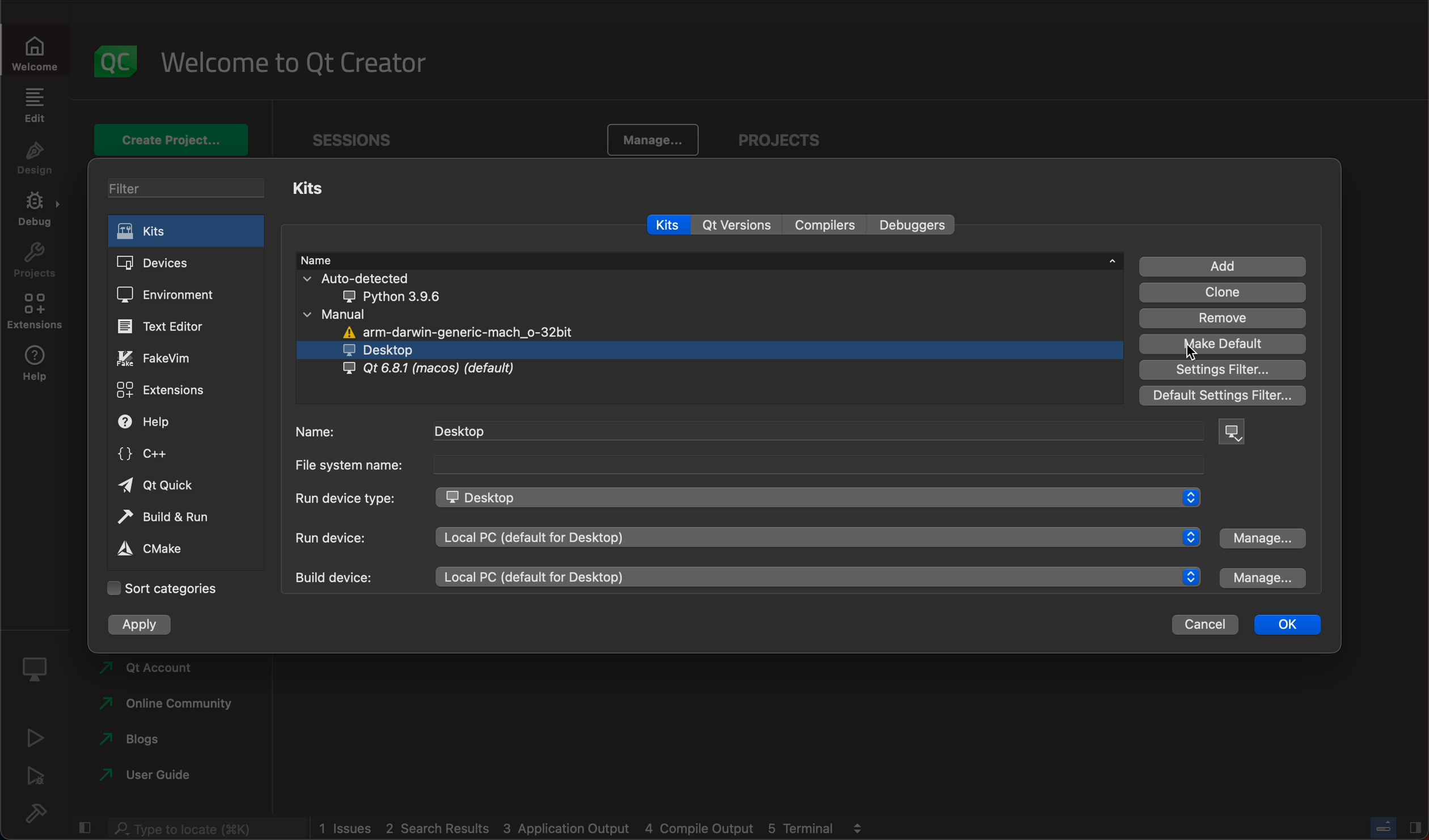 The image size is (1429, 840). What do you see at coordinates (1199, 350) in the screenshot?
I see `cursor` at bounding box center [1199, 350].